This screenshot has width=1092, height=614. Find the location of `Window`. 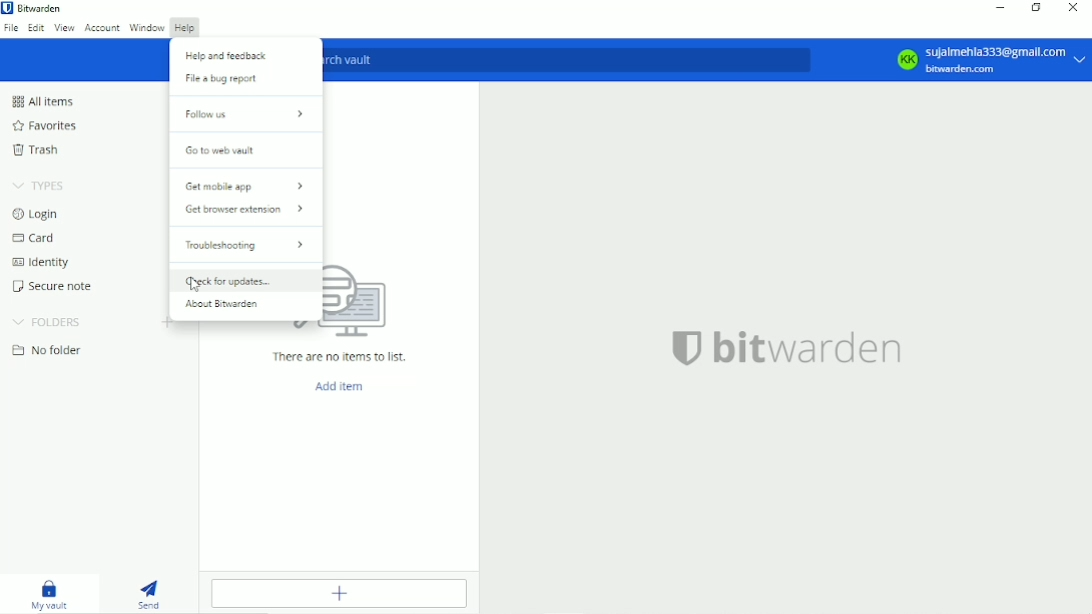

Window is located at coordinates (148, 29).